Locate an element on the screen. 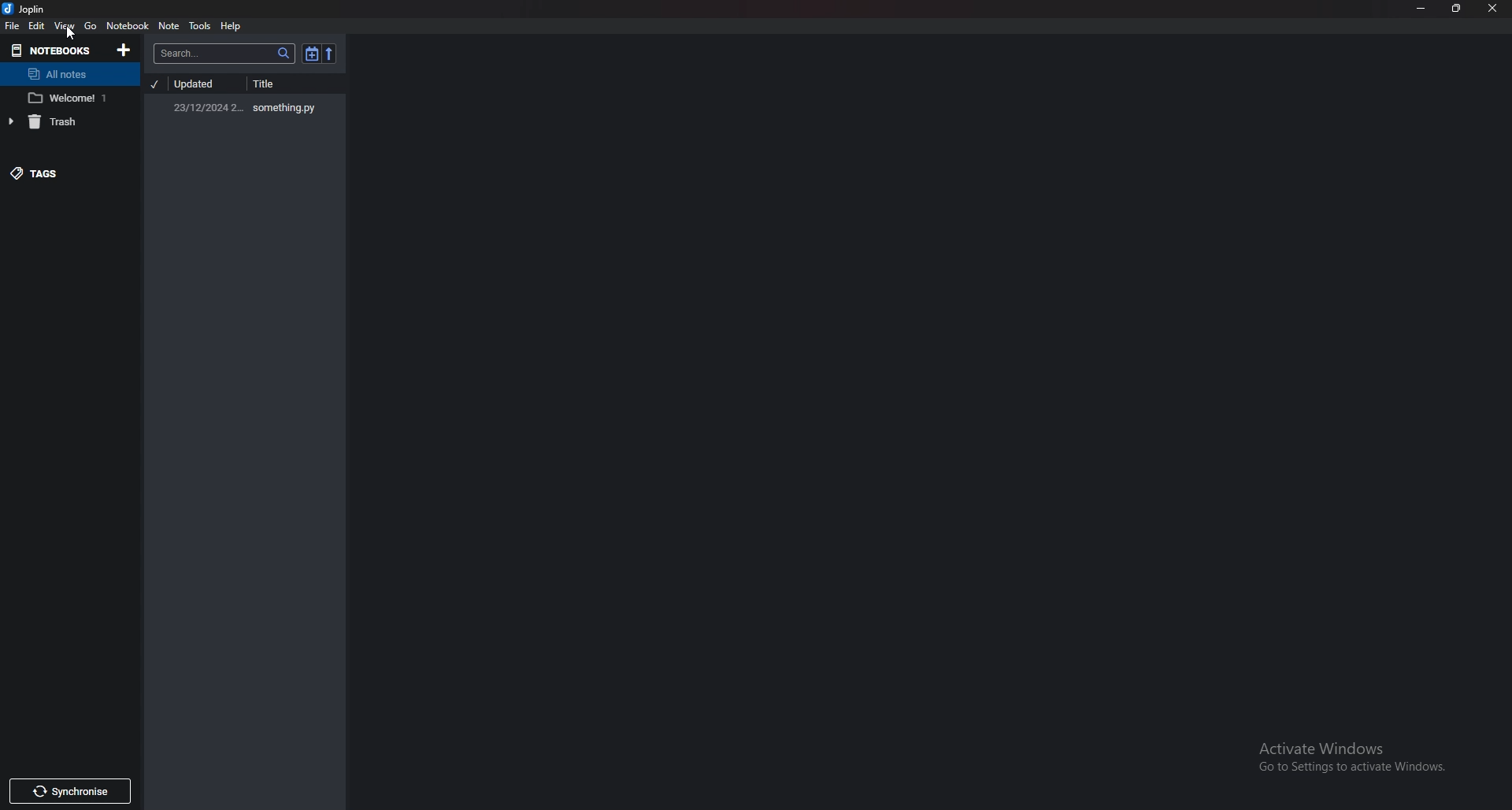 Image resolution: width=1512 pixels, height=810 pixels. Edit is located at coordinates (37, 26).